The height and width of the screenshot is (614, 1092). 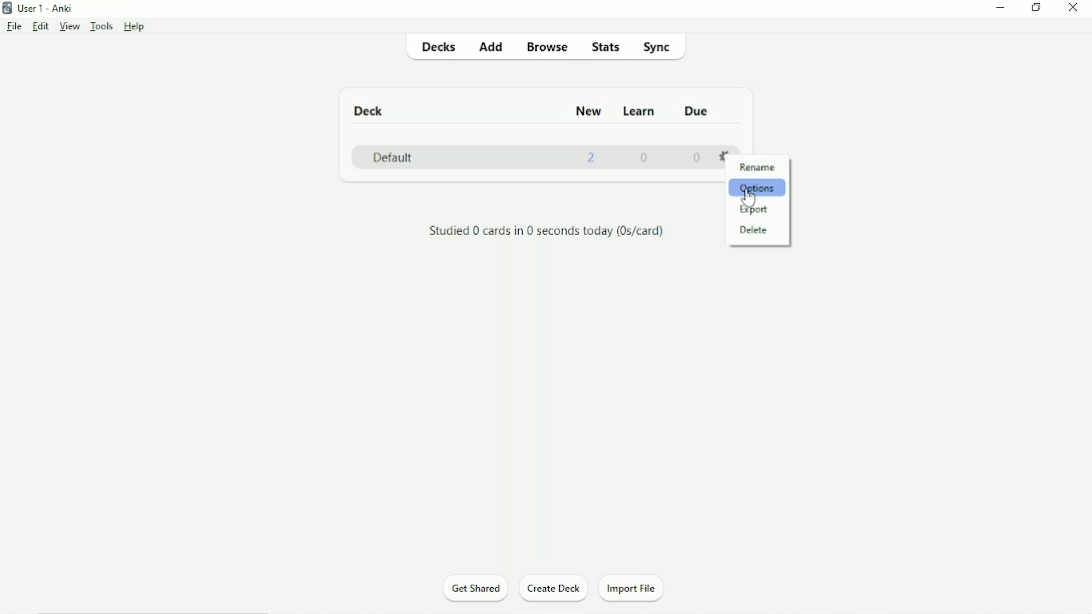 What do you see at coordinates (368, 109) in the screenshot?
I see `Deck` at bounding box center [368, 109].